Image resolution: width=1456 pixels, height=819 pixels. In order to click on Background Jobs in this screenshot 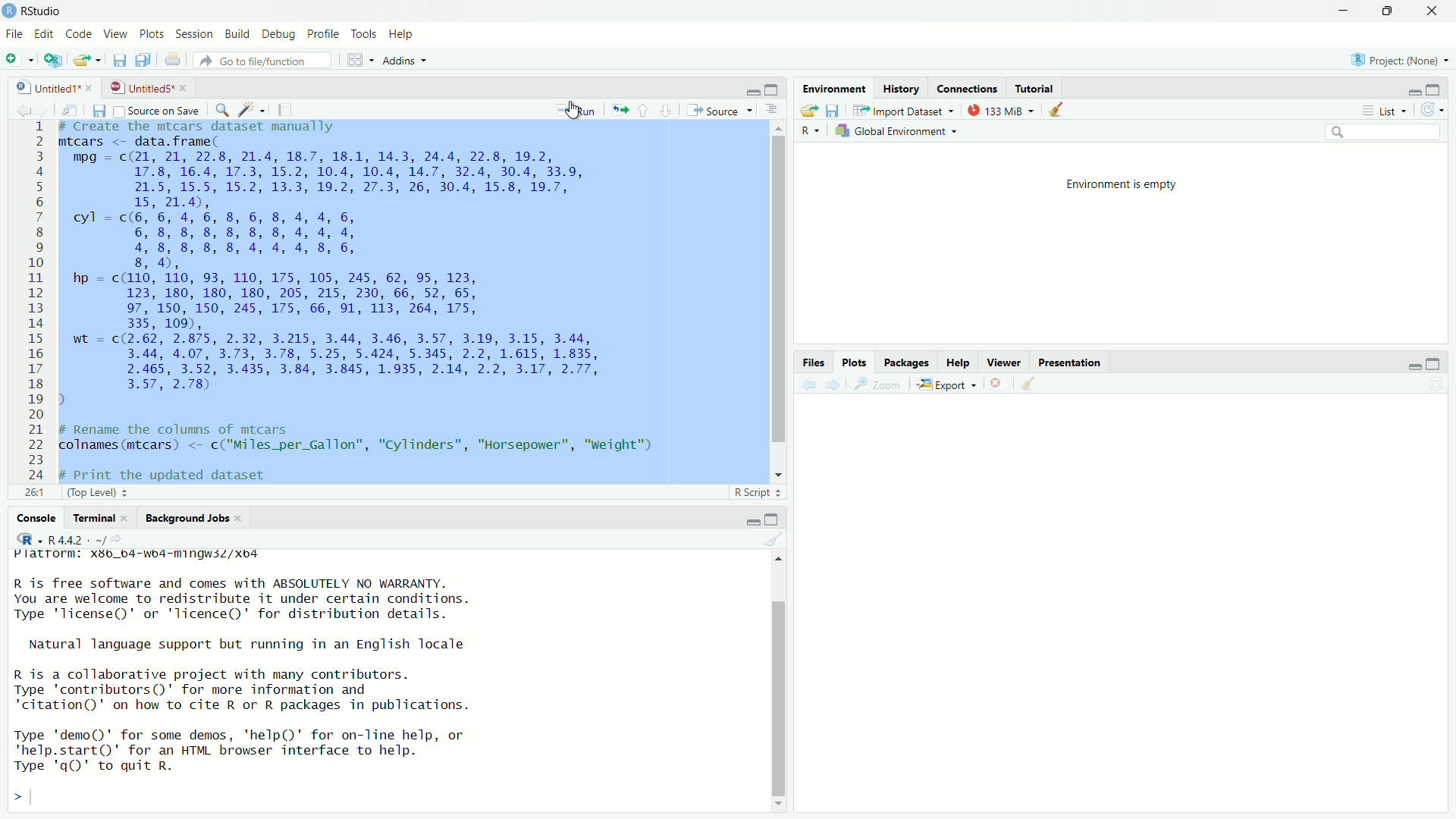, I will do `click(193, 517)`.